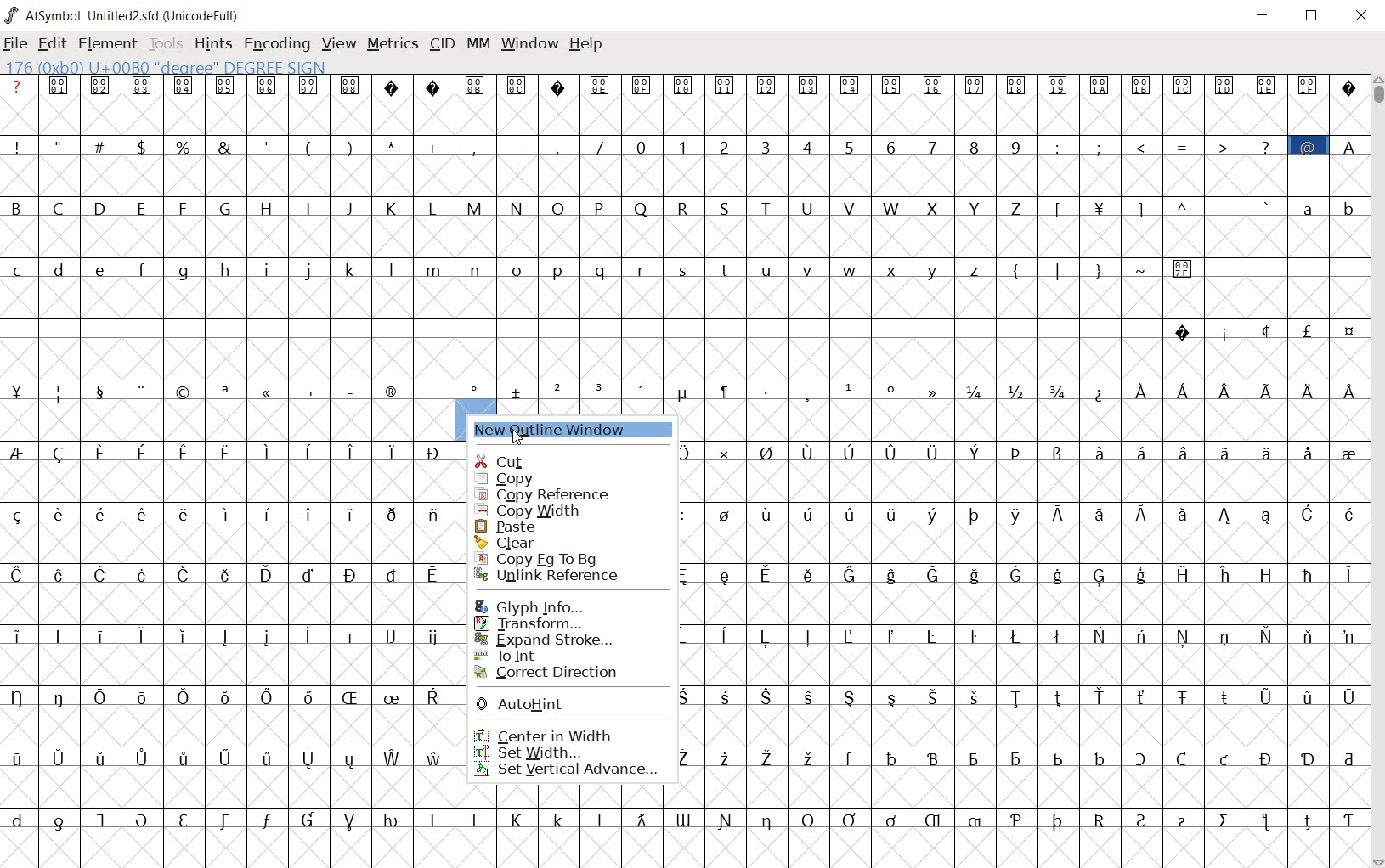 This screenshot has width=1385, height=868. What do you see at coordinates (307, 144) in the screenshot?
I see `special characters` at bounding box center [307, 144].